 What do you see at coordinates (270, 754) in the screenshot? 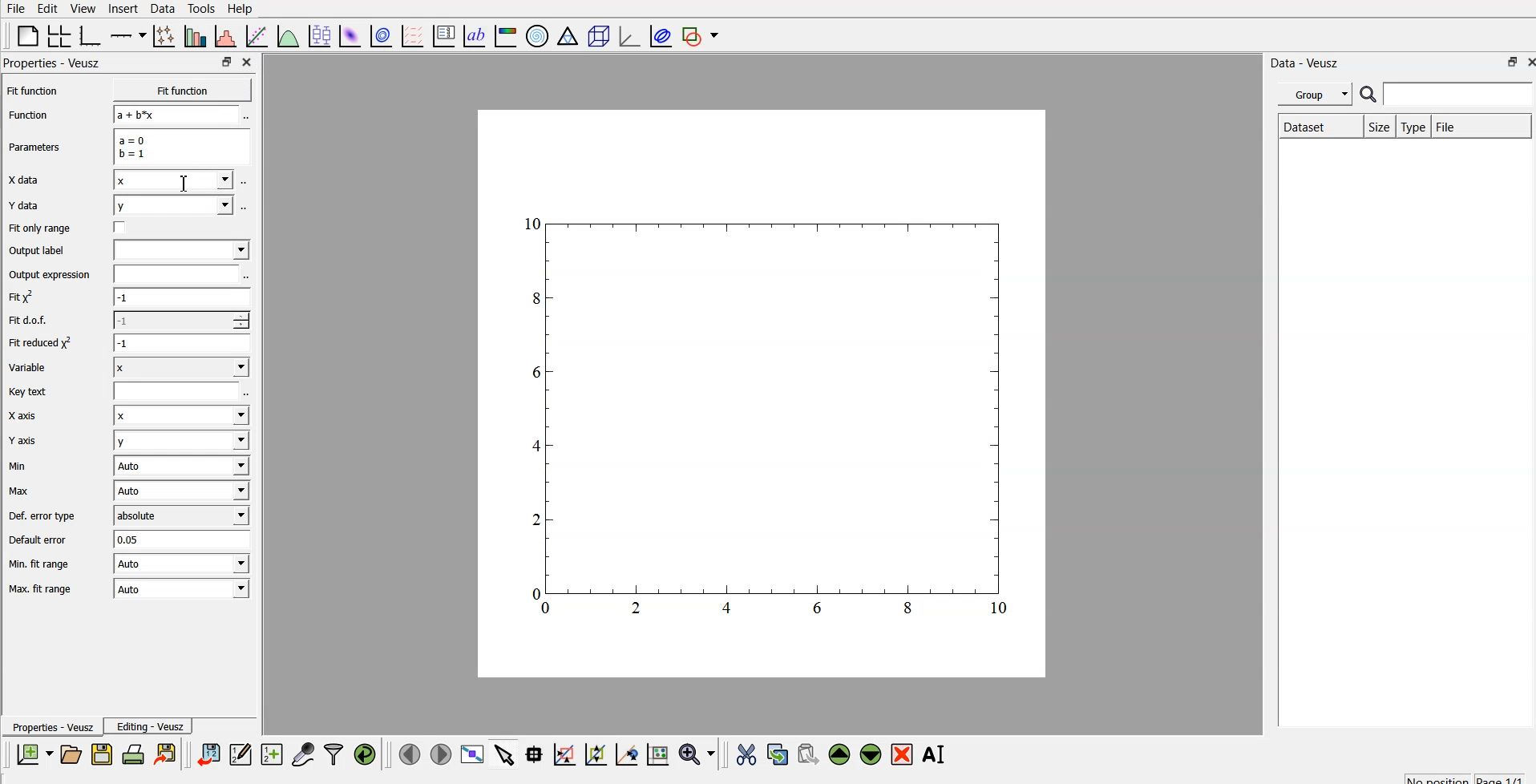
I see `create new datasets` at bounding box center [270, 754].